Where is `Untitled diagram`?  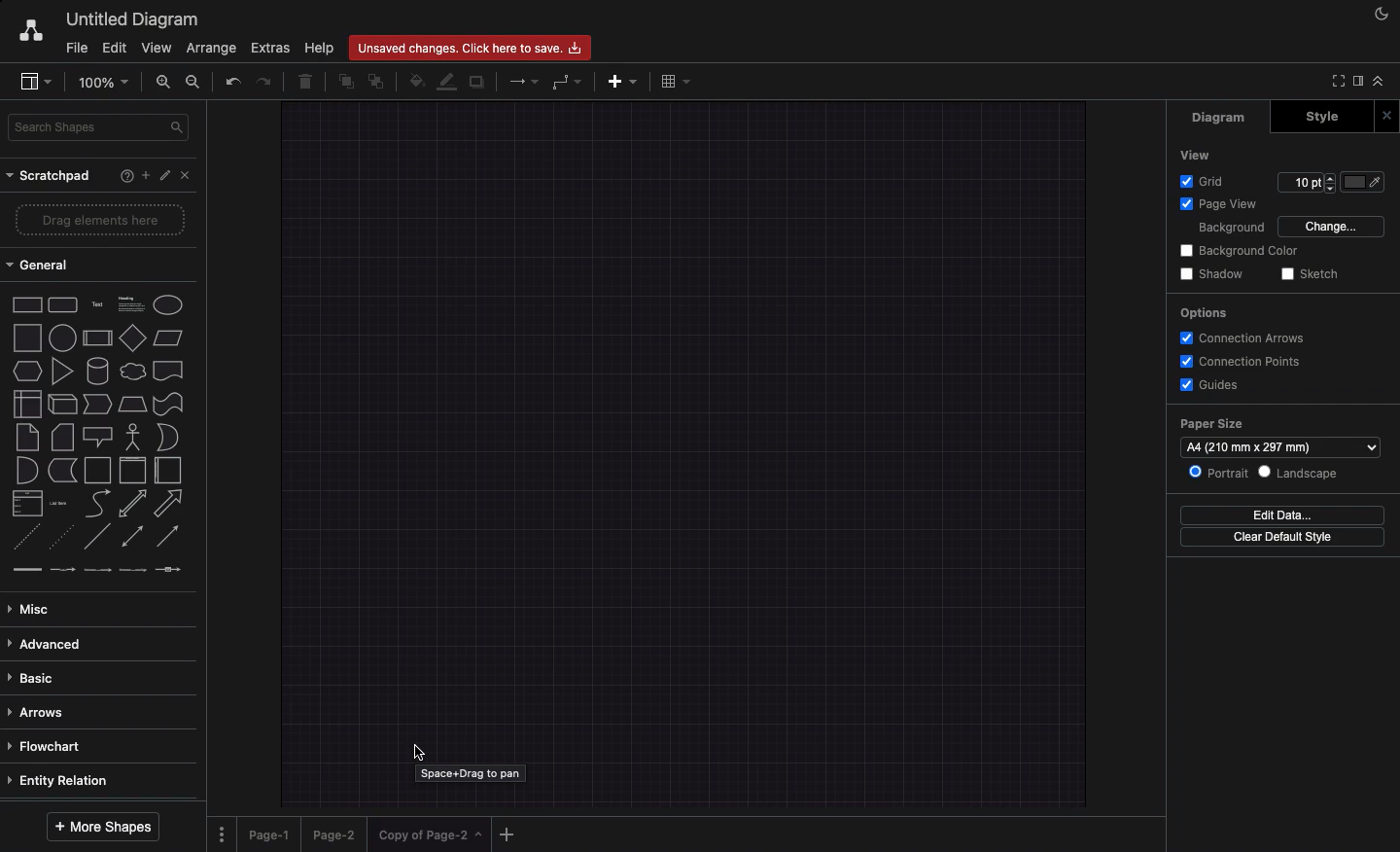
Untitled diagram is located at coordinates (134, 22).